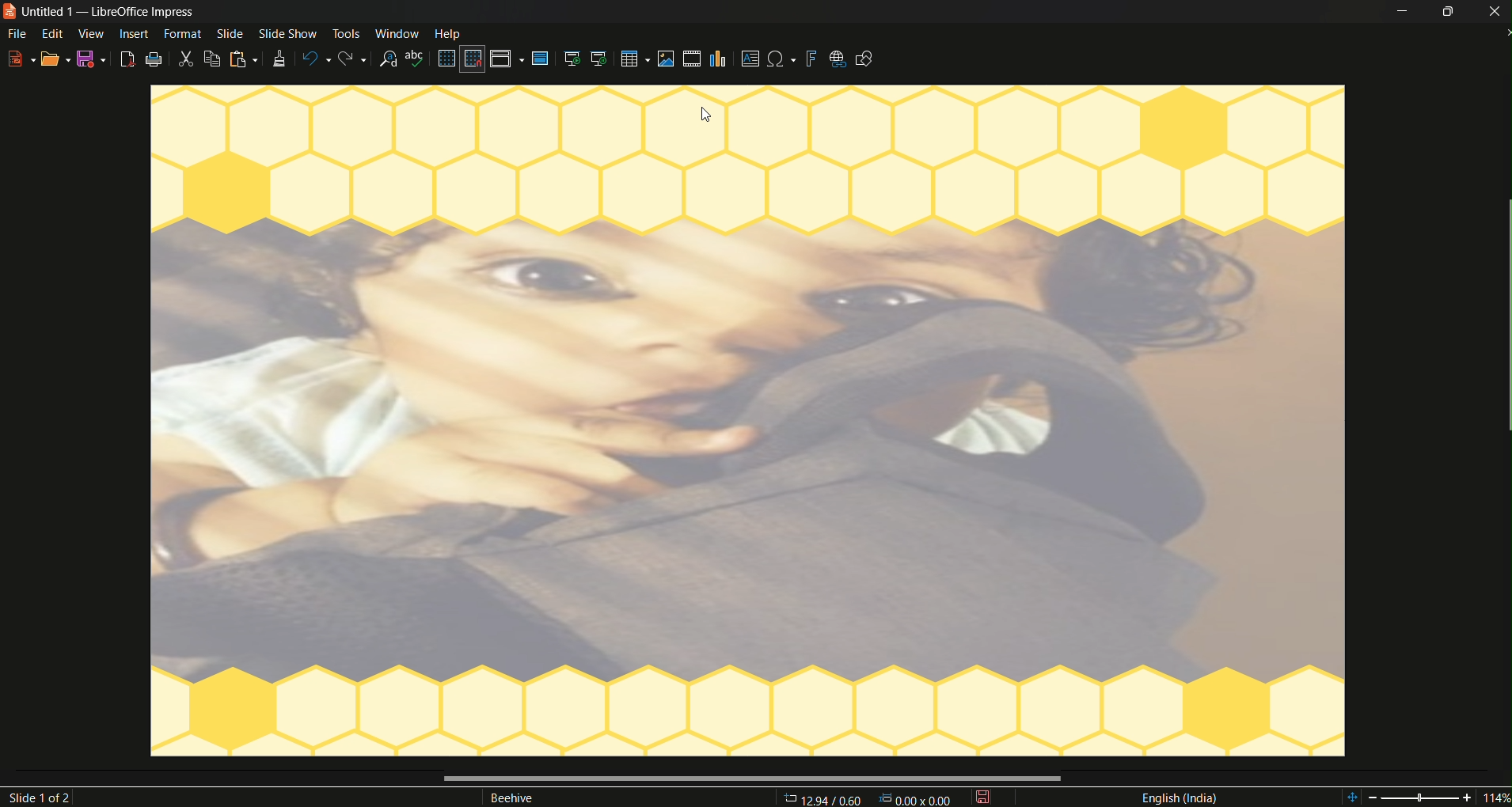 This screenshot has width=1512, height=807. What do you see at coordinates (345, 34) in the screenshot?
I see `tools` at bounding box center [345, 34].